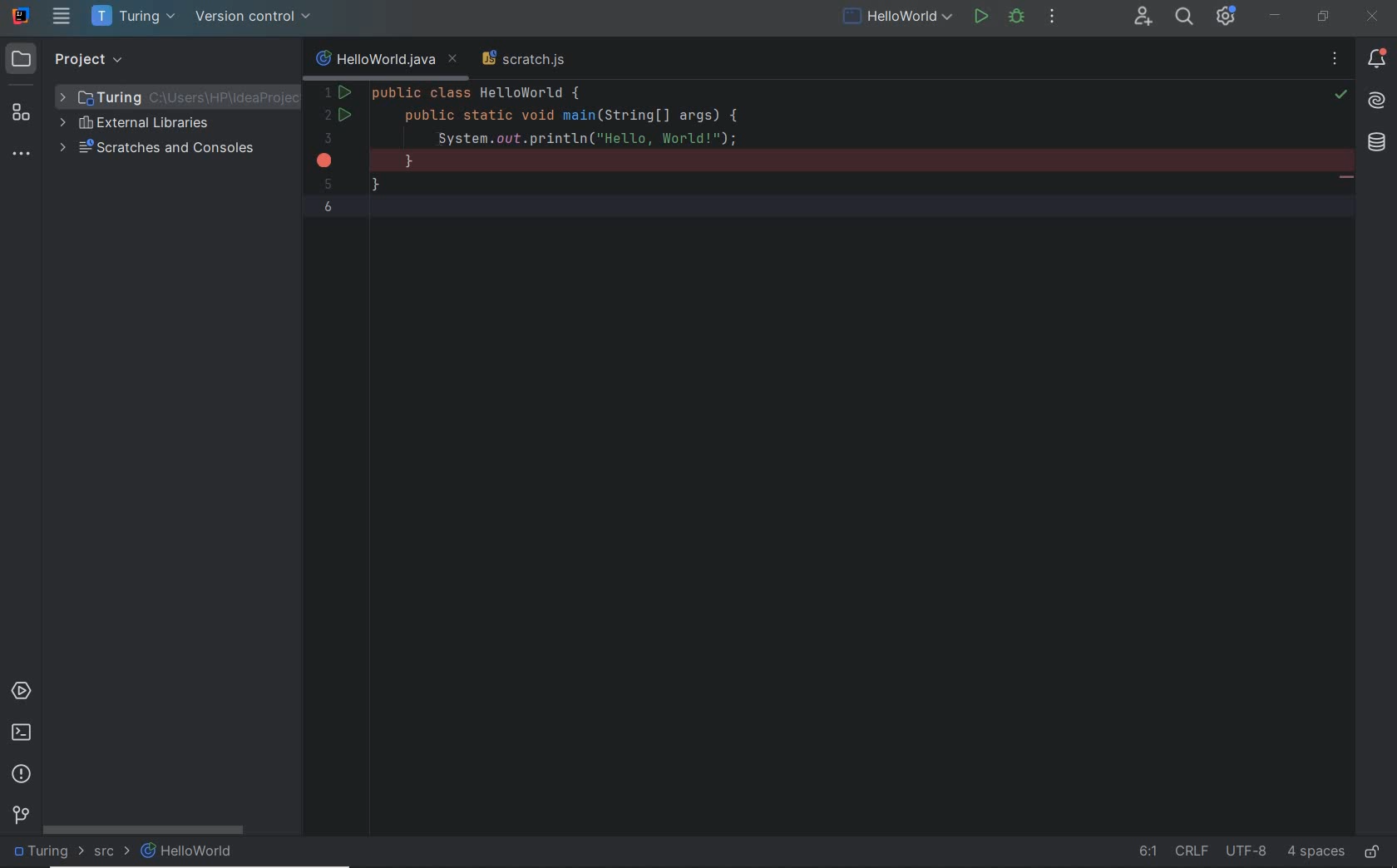 The height and width of the screenshot is (868, 1397). Describe the element at coordinates (1184, 17) in the screenshot. I see `search everywhere` at that location.